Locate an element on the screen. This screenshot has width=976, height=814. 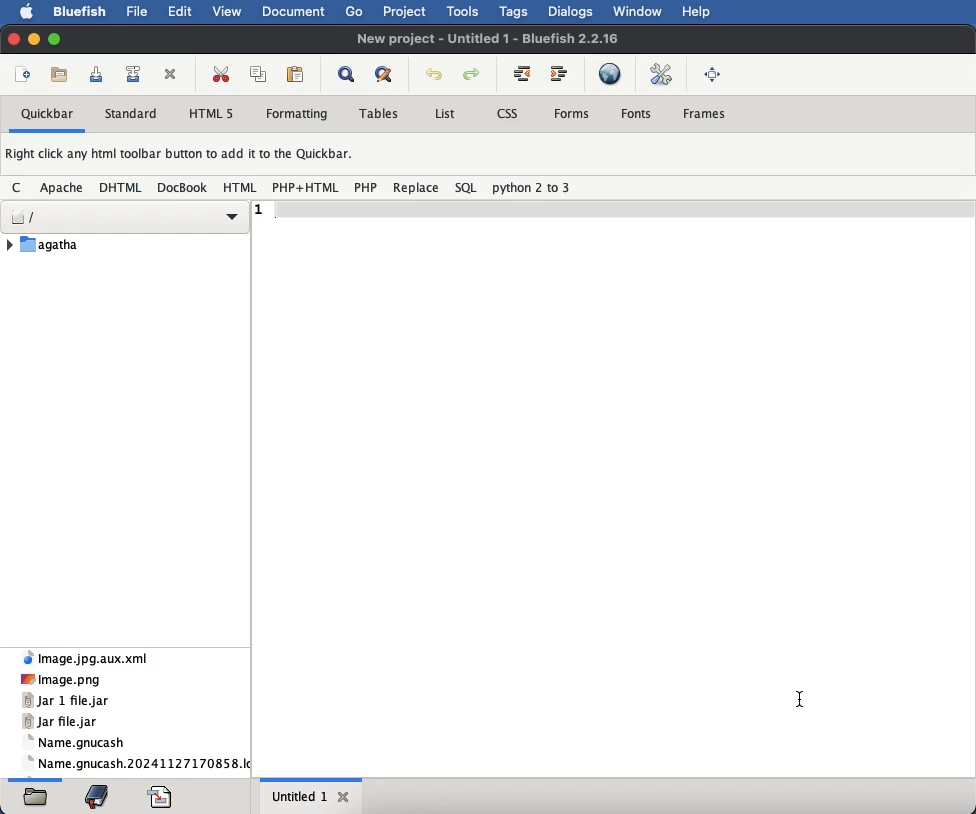
code is located at coordinates (162, 794).